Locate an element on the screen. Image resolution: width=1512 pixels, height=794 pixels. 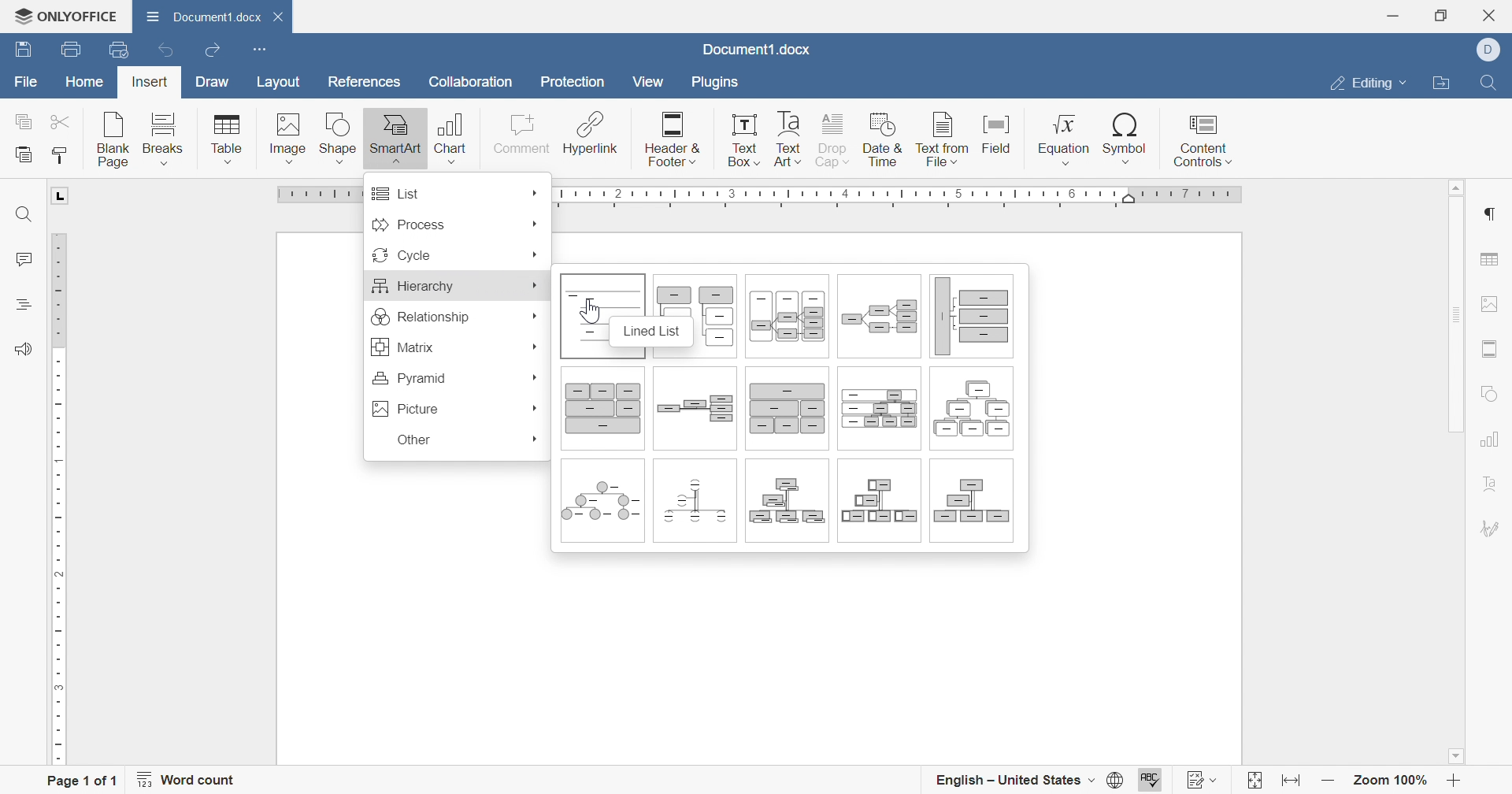
More is located at coordinates (535, 314).